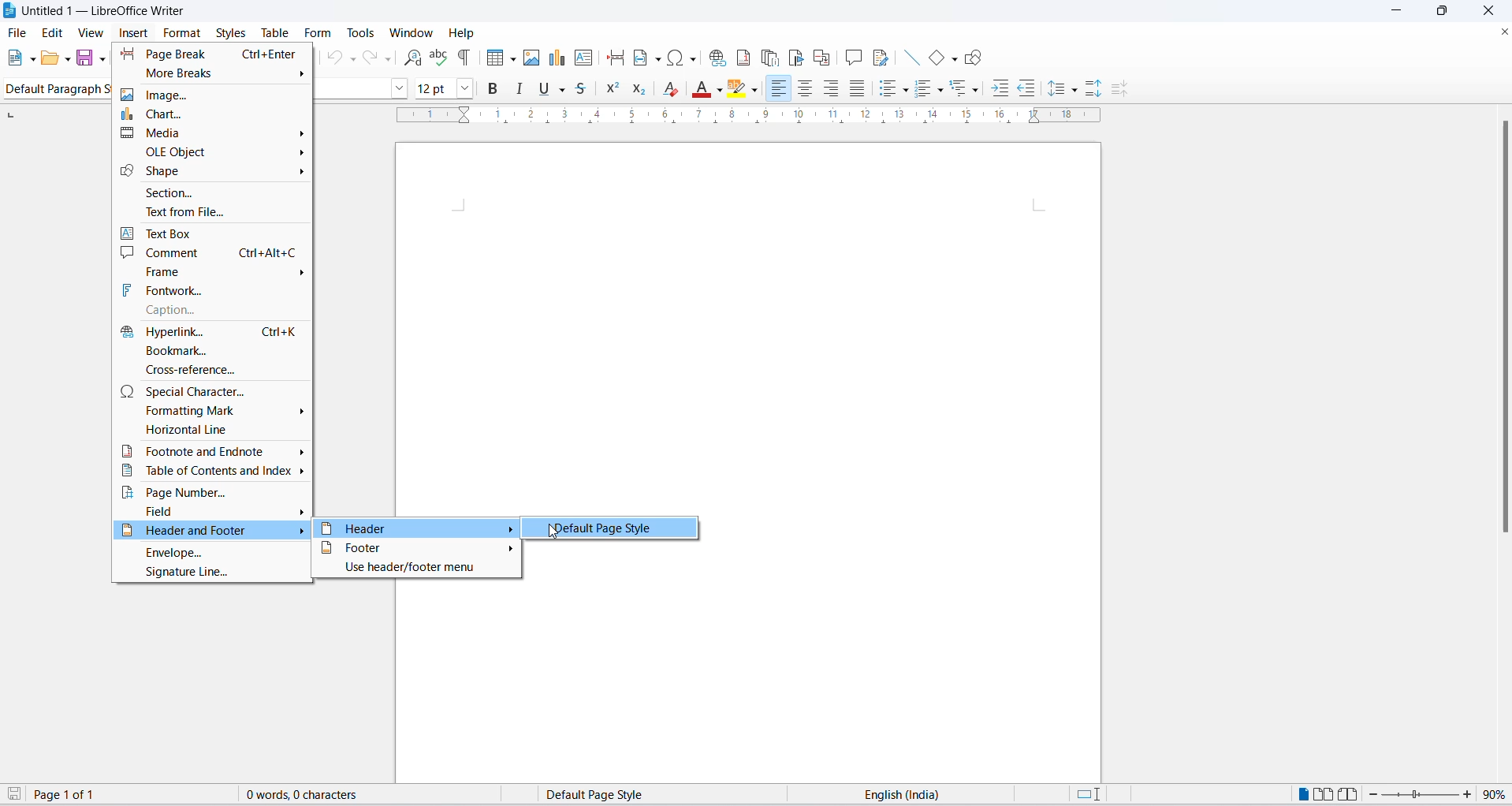  Describe the element at coordinates (317, 33) in the screenshot. I see `form` at that location.